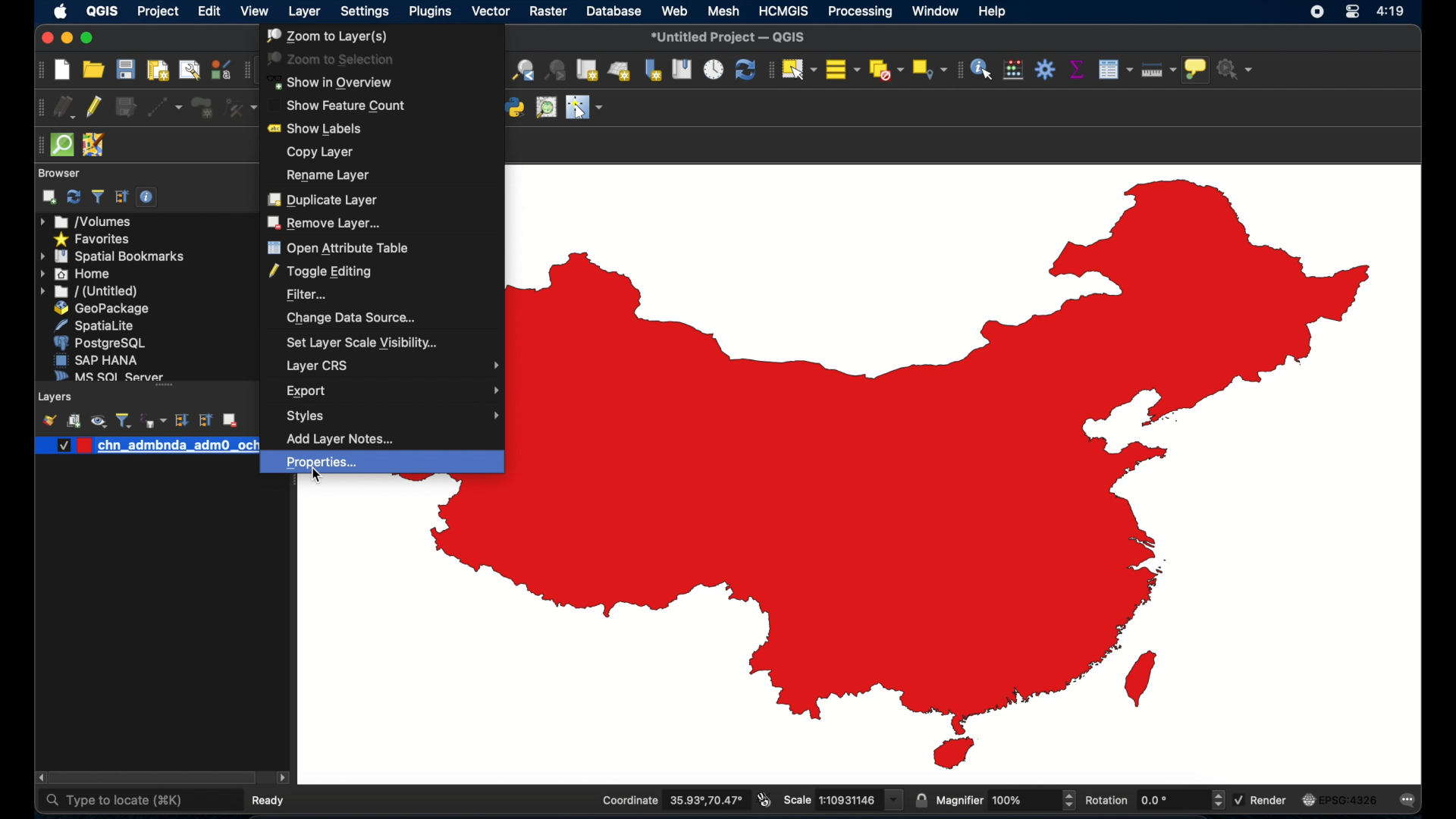  I want to click on osm place search, so click(548, 108).